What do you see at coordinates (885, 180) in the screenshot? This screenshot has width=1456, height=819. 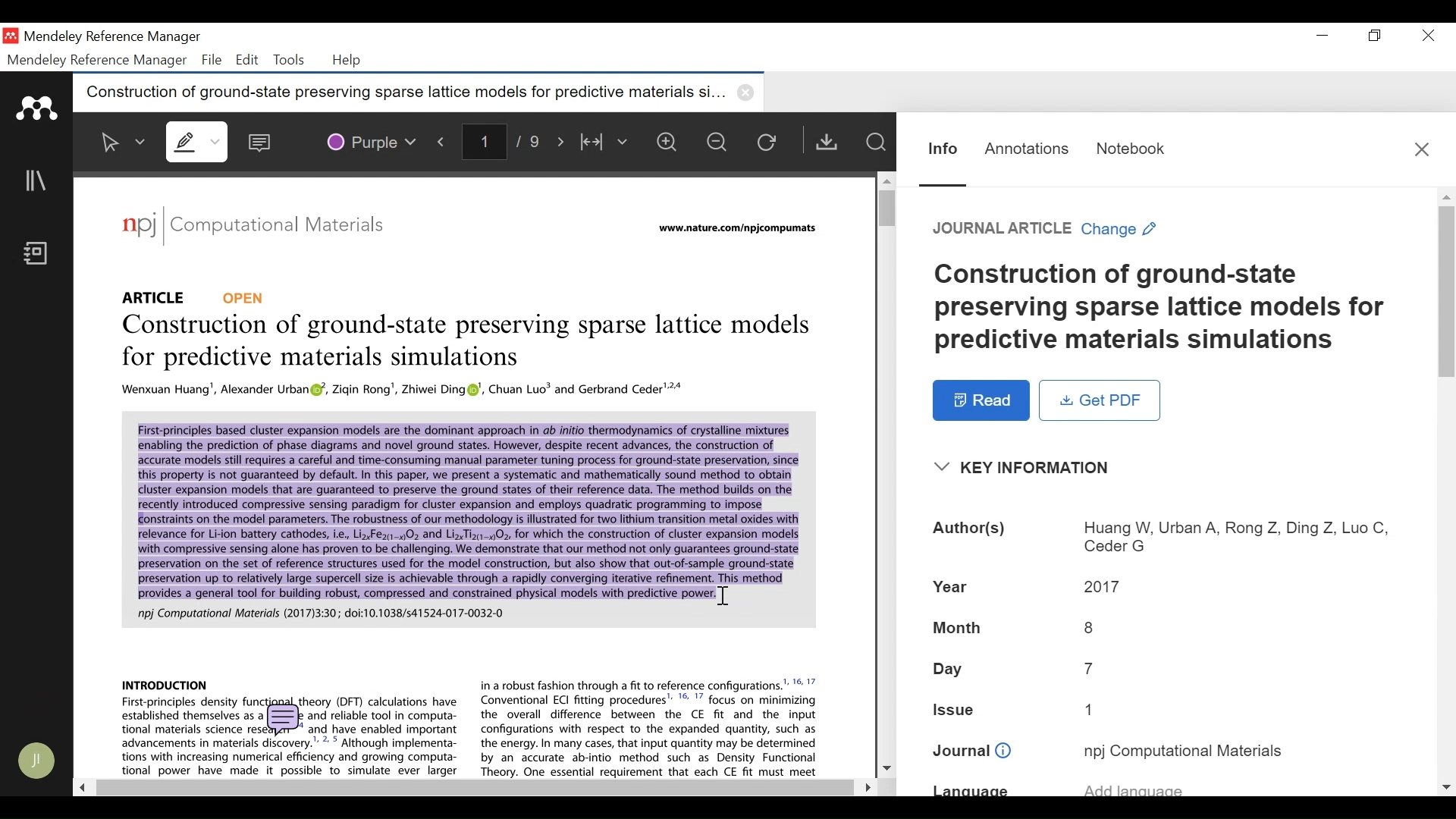 I see `Scroll up` at bounding box center [885, 180].